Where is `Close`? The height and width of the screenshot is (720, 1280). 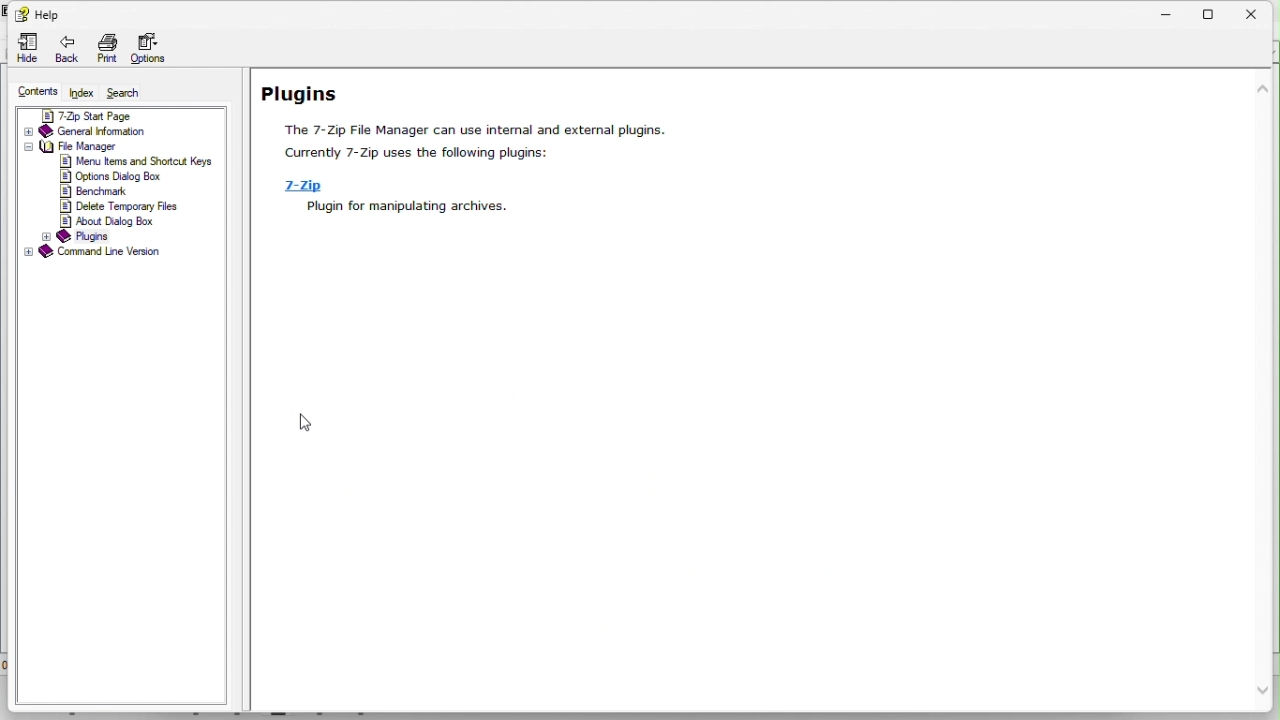
Close is located at coordinates (1259, 12).